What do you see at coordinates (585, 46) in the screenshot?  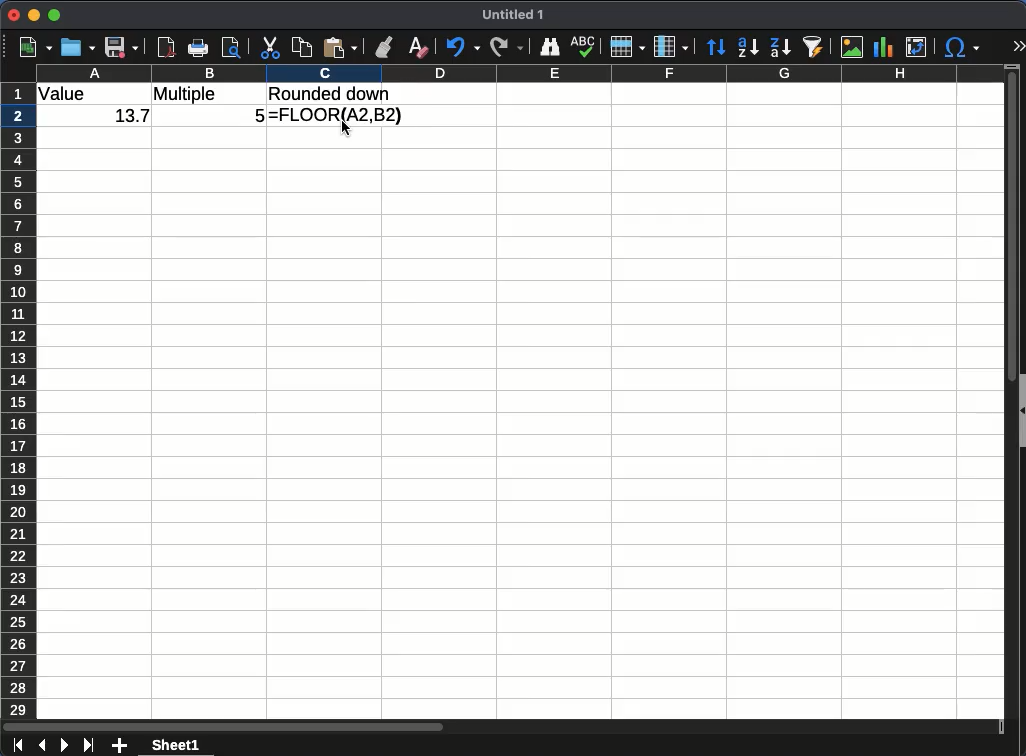 I see `spell check` at bounding box center [585, 46].